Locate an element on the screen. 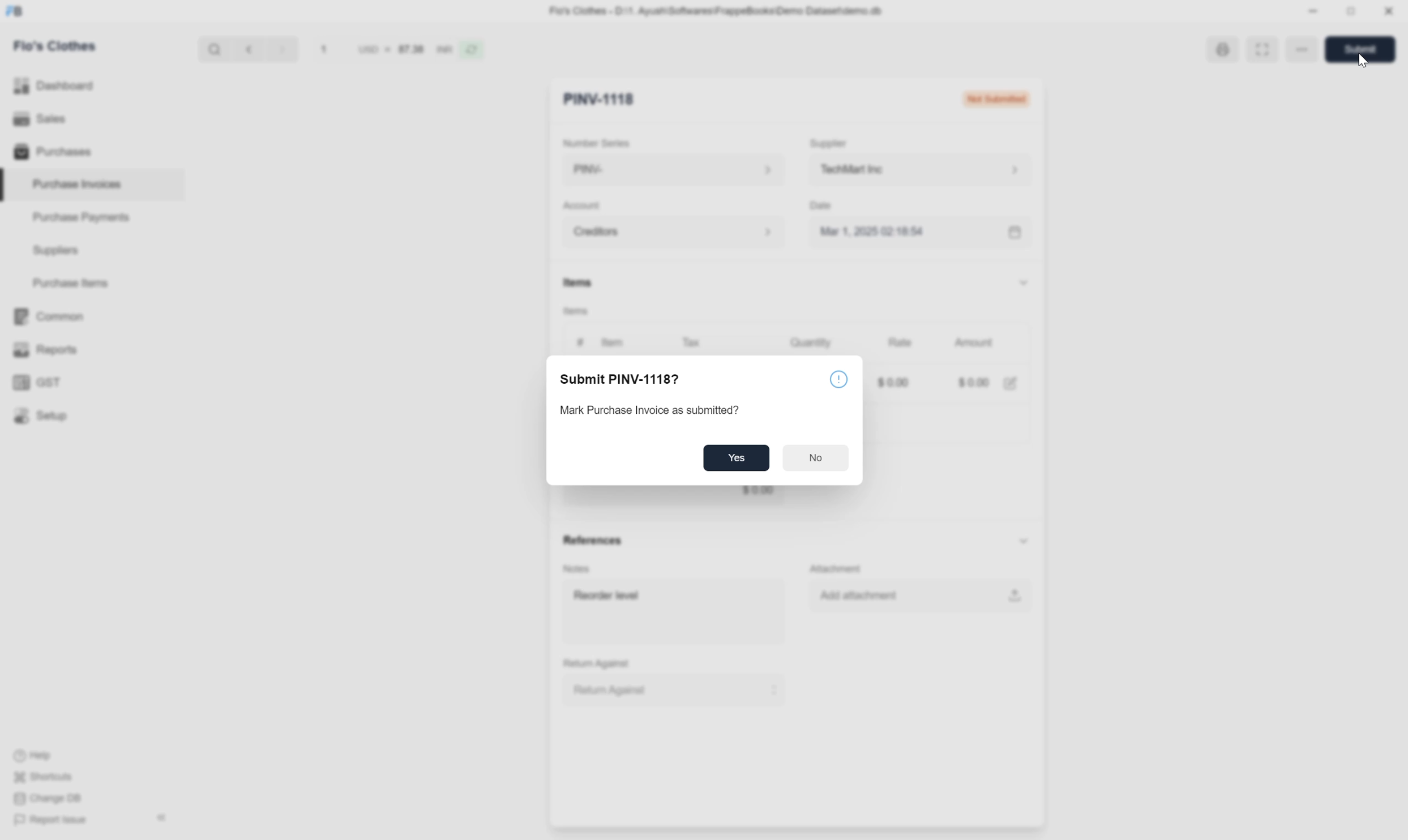 The width and height of the screenshot is (1408, 840). help is located at coordinates (838, 380).